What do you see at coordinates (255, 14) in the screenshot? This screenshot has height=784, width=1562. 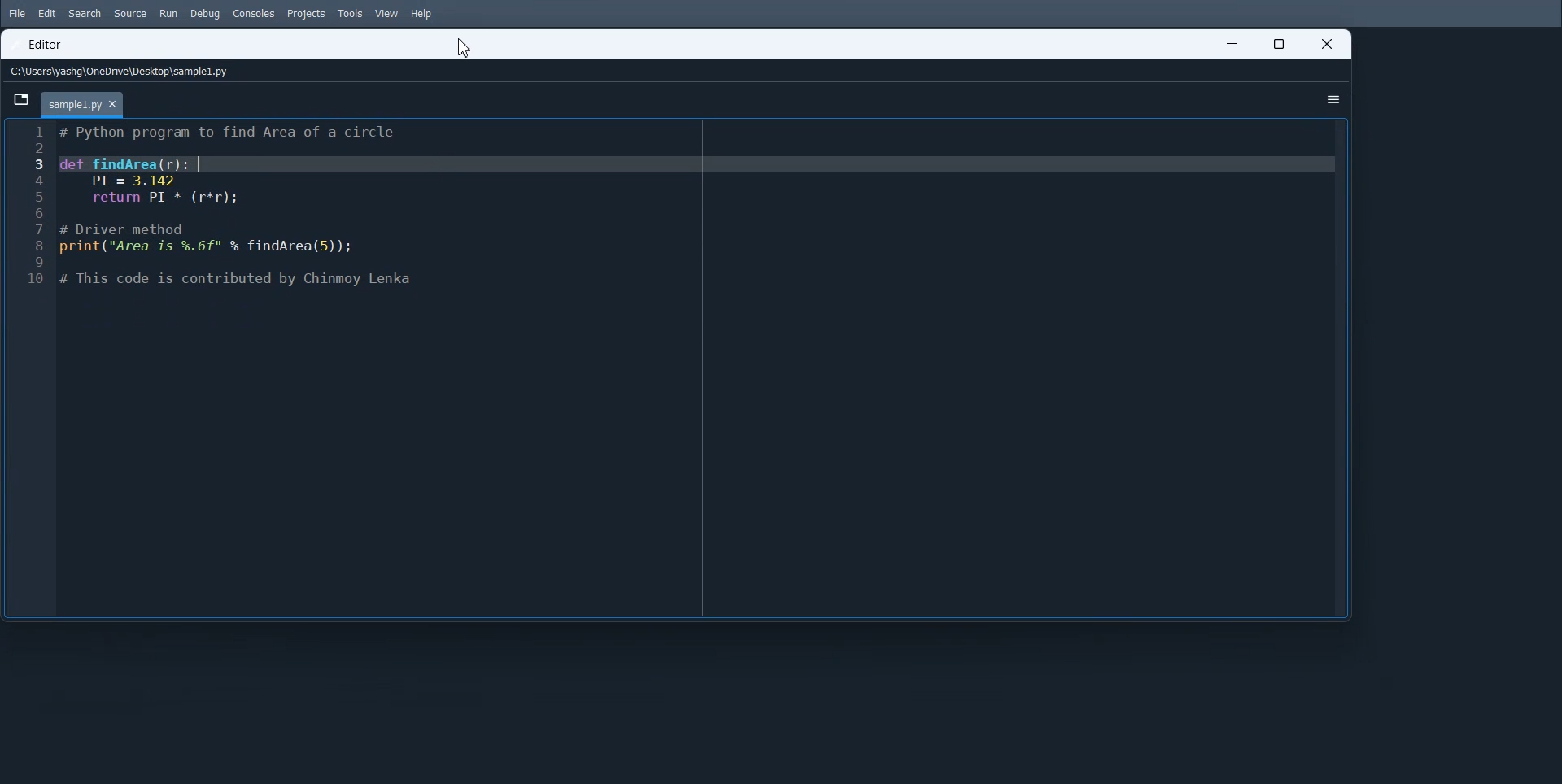 I see `Consoles` at bounding box center [255, 14].